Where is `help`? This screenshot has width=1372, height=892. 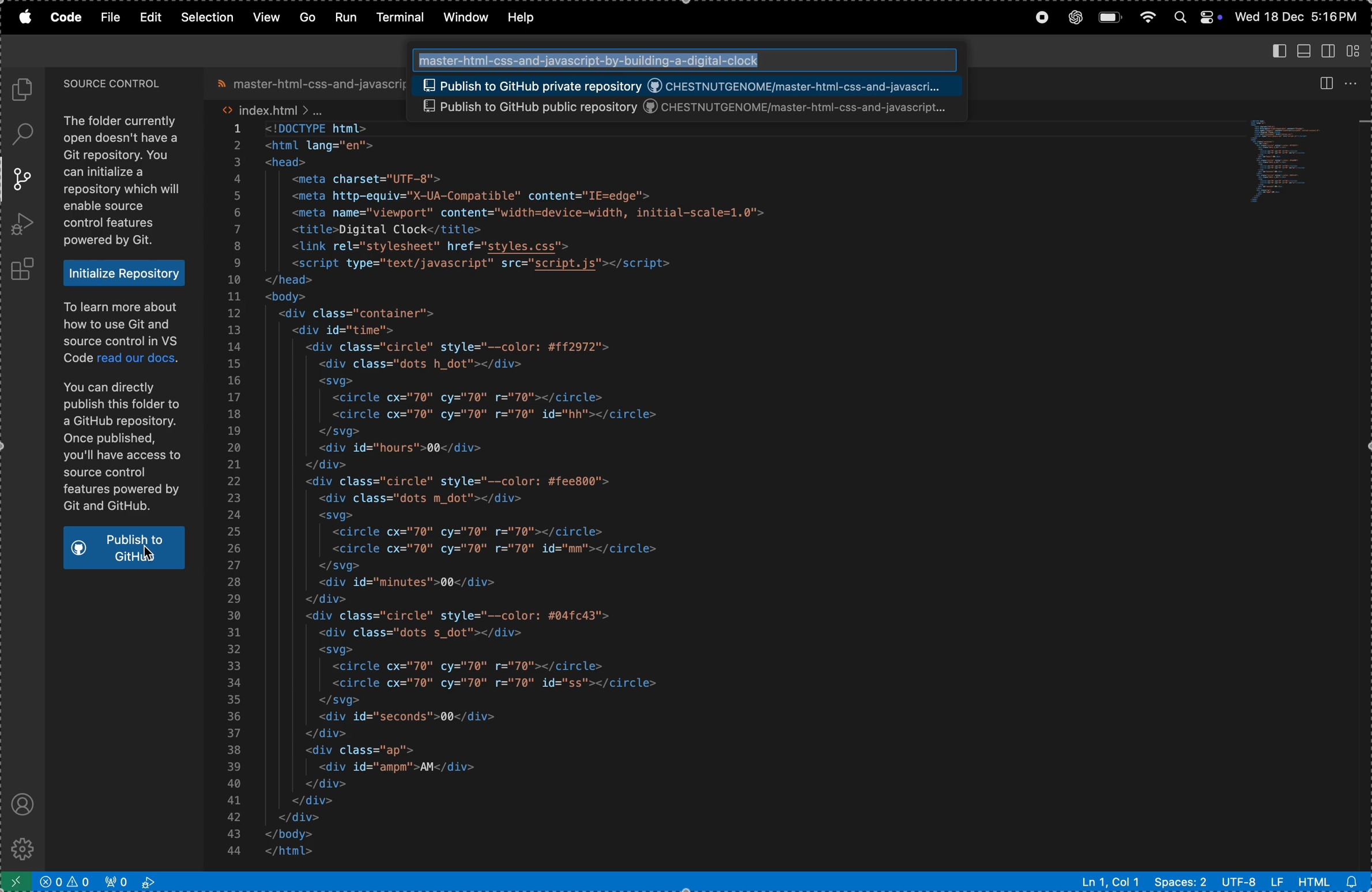
help is located at coordinates (529, 16).